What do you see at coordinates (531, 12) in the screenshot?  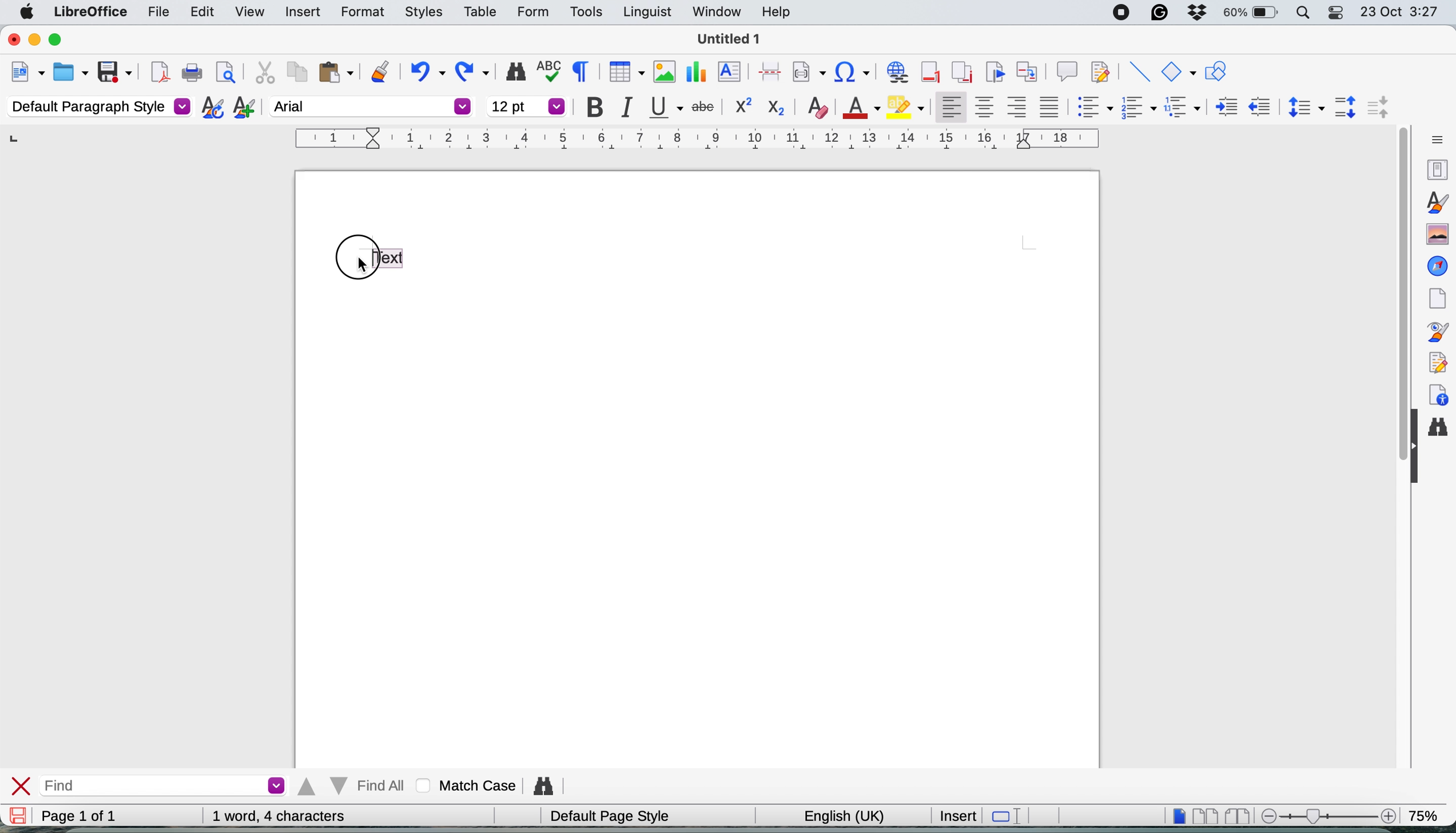 I see `form` at bounding box center [531, 12].